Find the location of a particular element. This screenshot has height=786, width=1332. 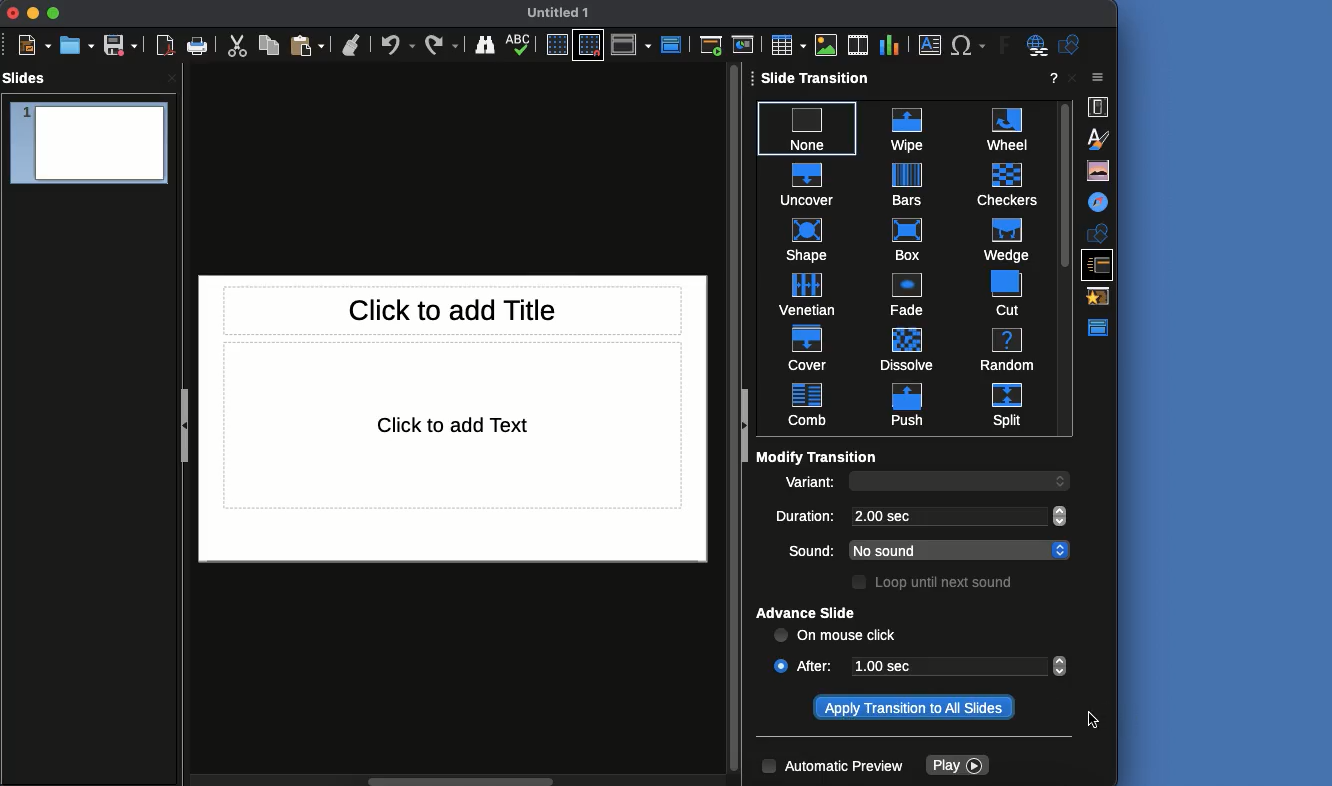

scroll is located at coordinates (1062, 516).